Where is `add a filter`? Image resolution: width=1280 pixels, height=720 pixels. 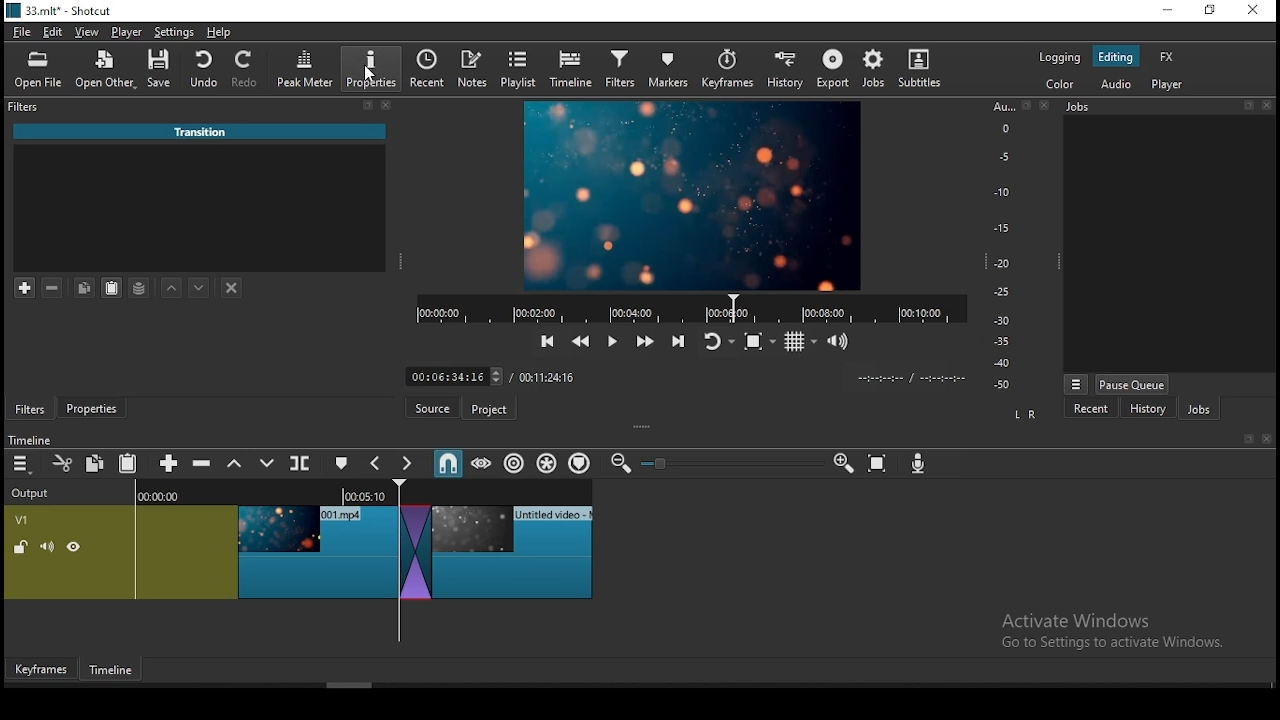
add a filter is located at coordinates (27, 288).